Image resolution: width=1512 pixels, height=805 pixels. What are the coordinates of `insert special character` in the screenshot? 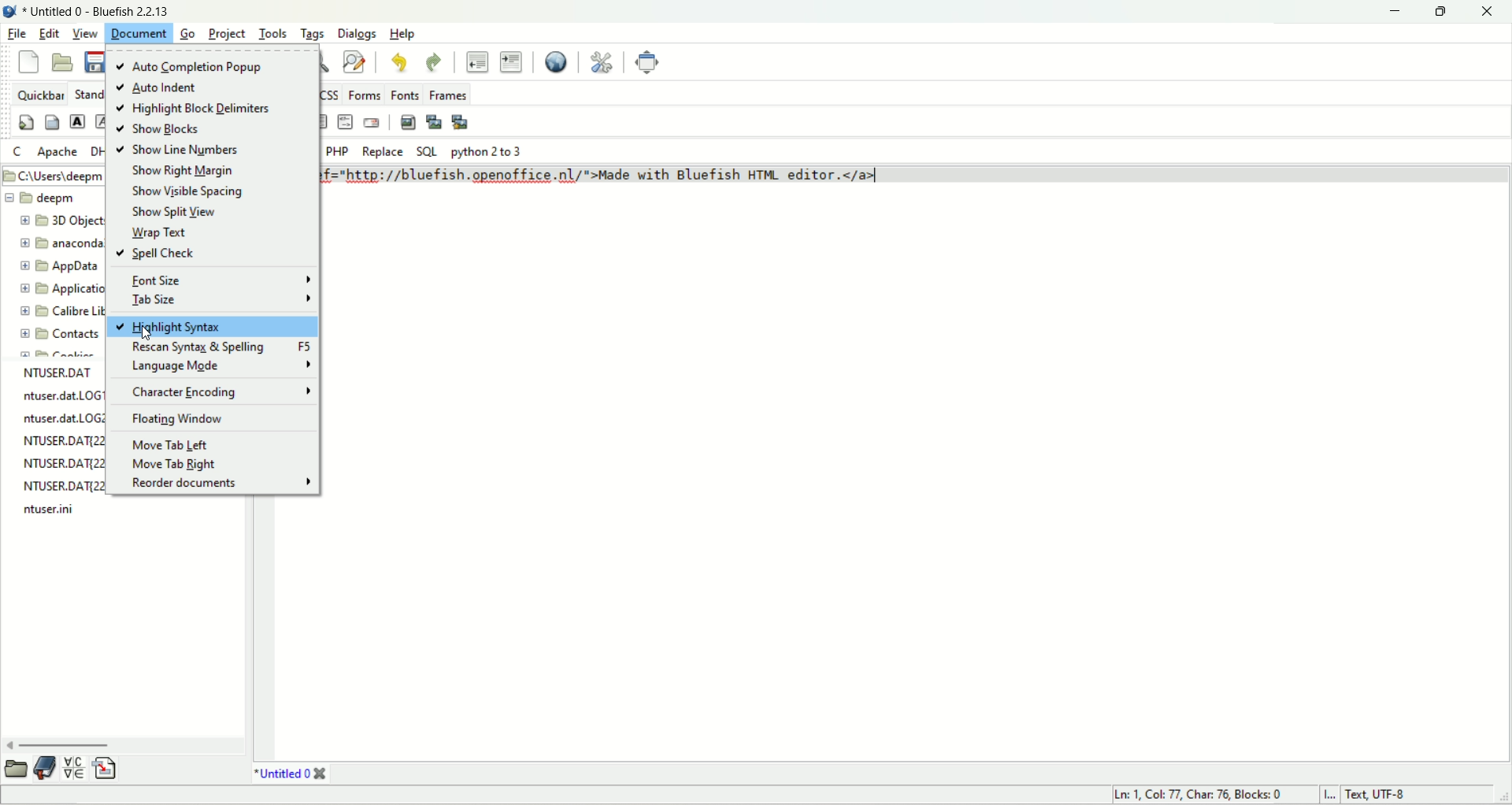 It's located at (75, 768).